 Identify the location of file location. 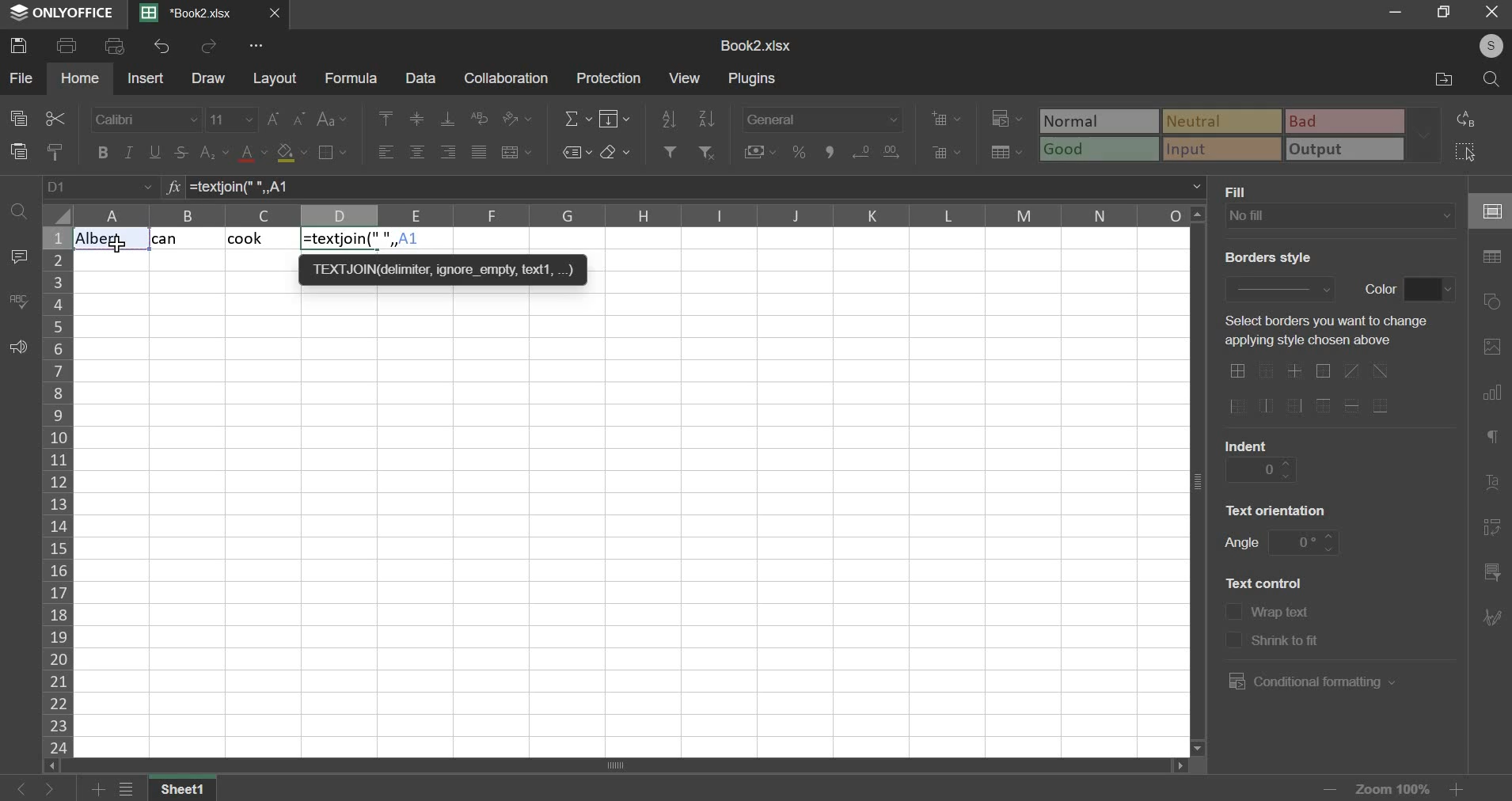
(1442, 81).